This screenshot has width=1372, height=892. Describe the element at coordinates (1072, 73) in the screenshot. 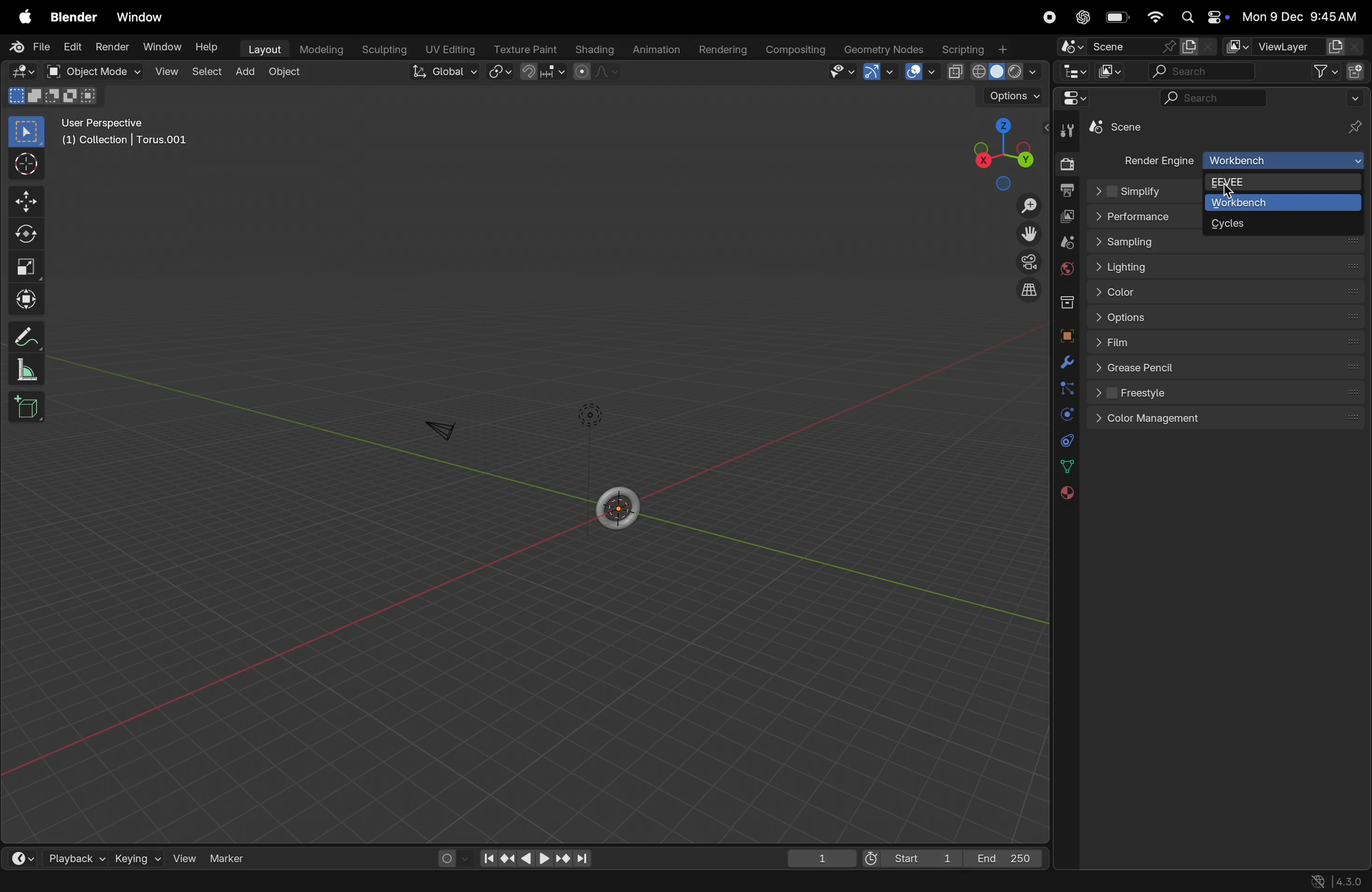

I see `Editor type` at that location.